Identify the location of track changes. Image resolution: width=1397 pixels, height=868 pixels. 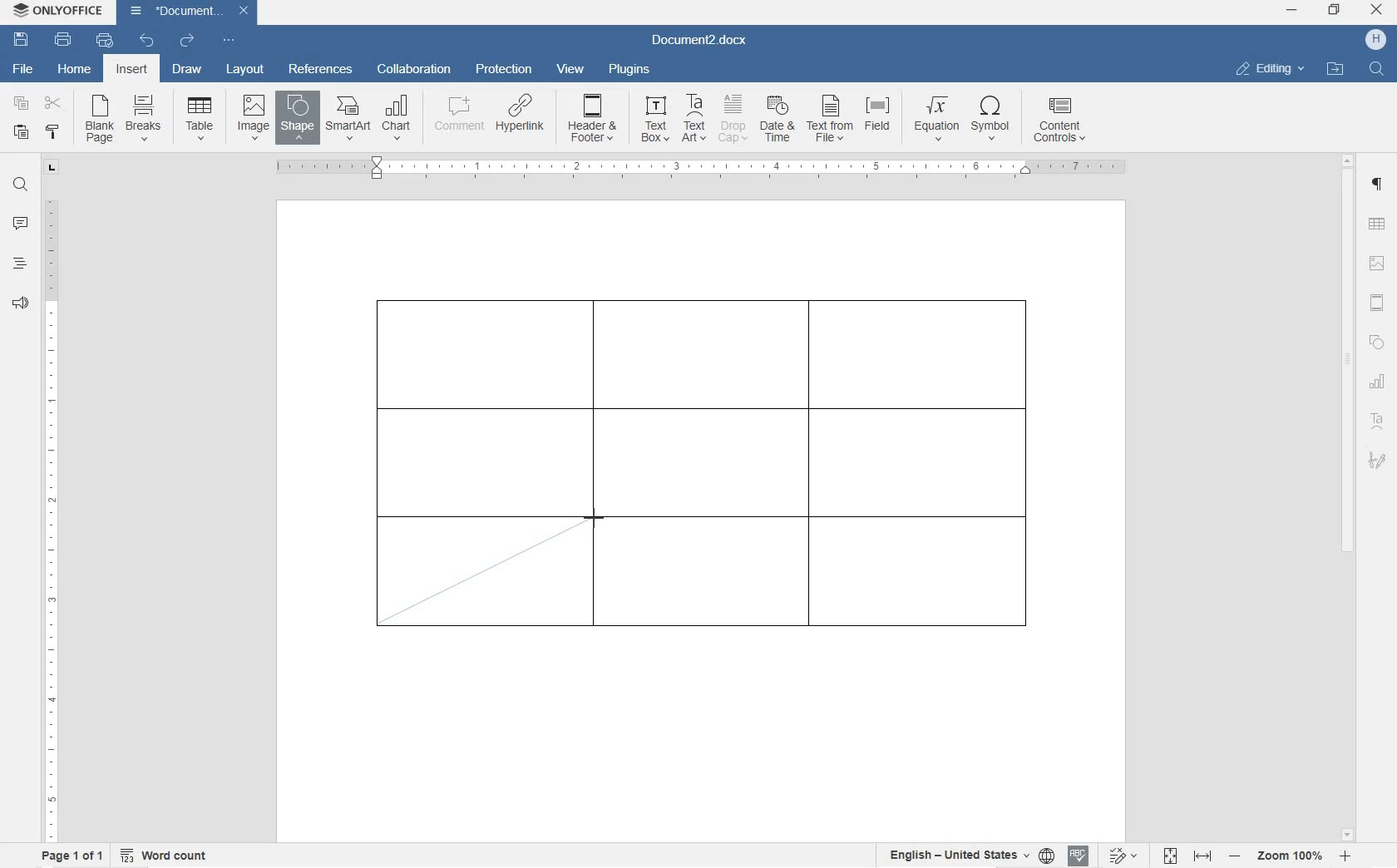
(1127, 856).